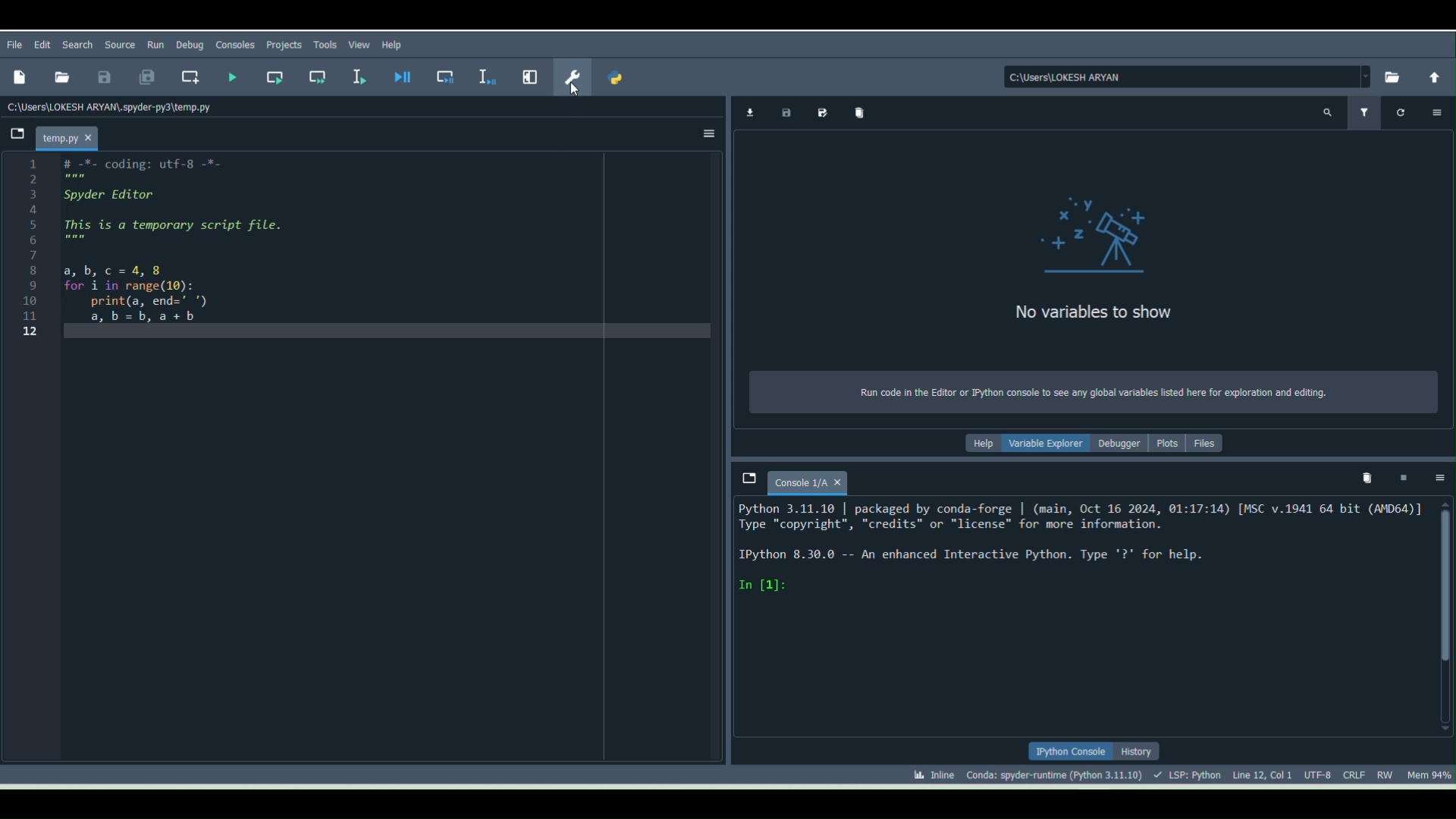  What do you see at coordinates (121, 42) in the screenshot?
I see `Source` at bounding box center [121, 42].